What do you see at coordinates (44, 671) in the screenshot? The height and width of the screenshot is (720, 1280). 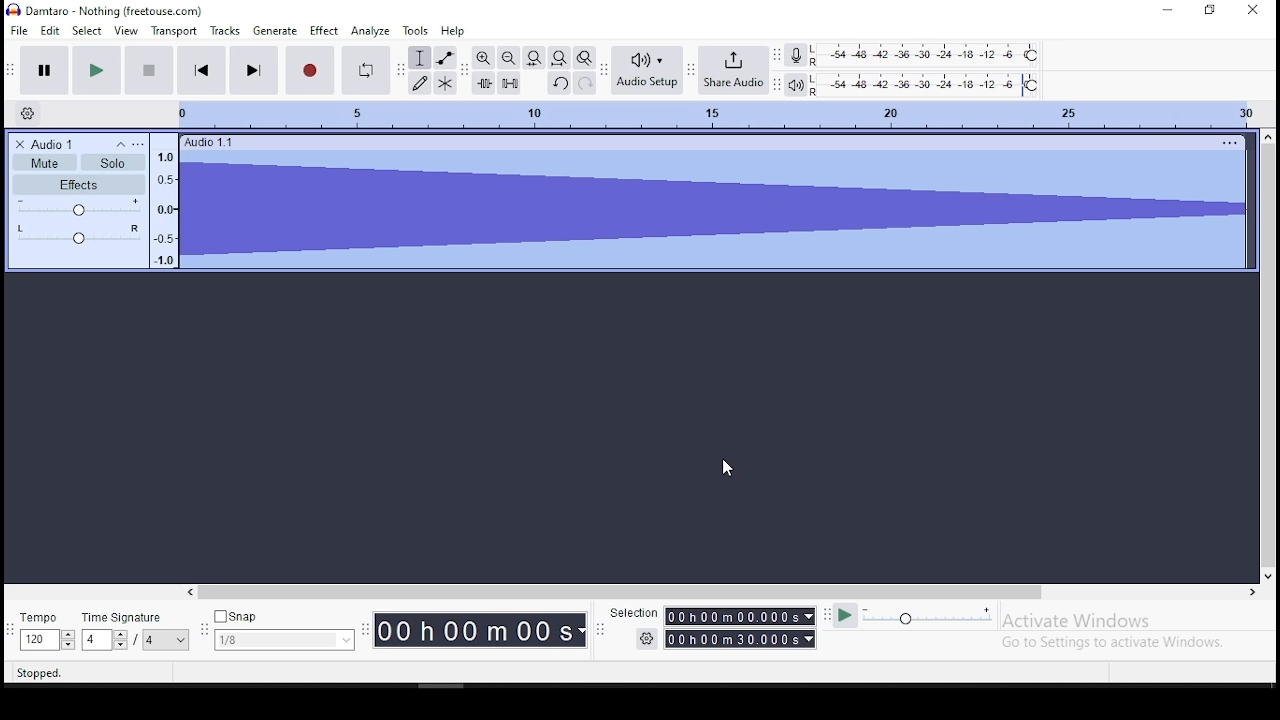 I see `stopped` at bounding box center [44, 671].